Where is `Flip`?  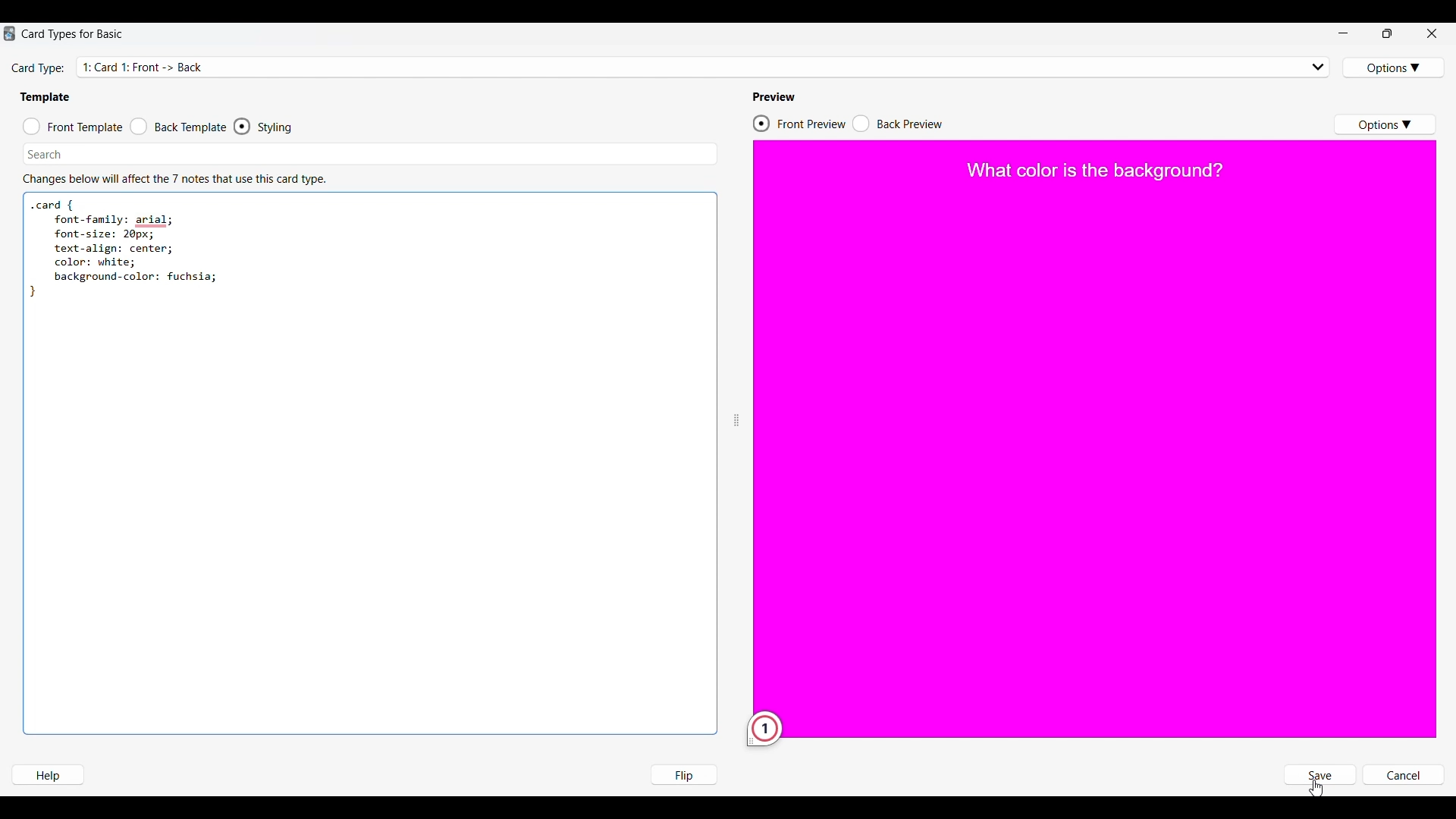 Flip is located at coordinates (683, 774).